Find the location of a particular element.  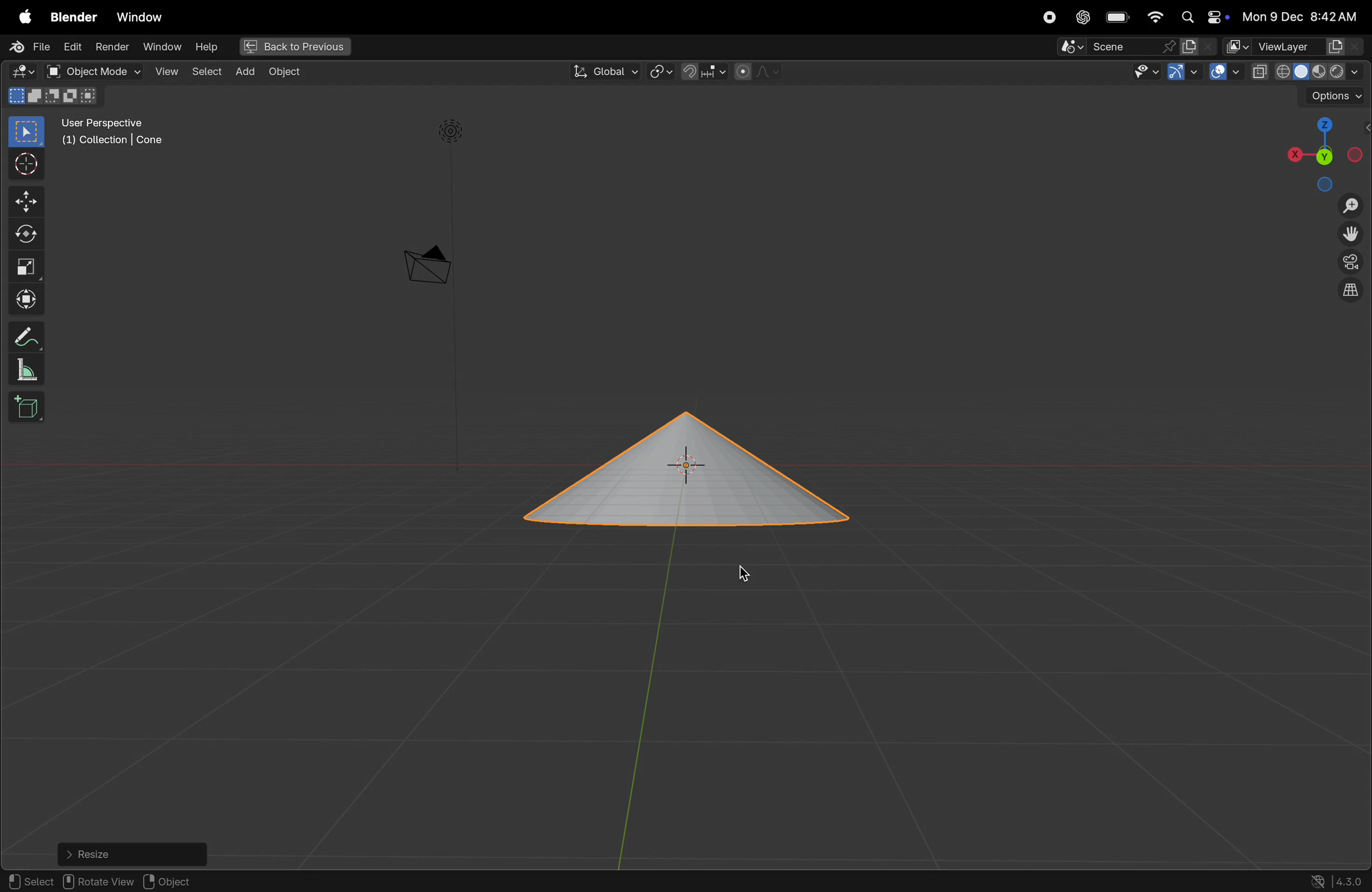

Pin scene is located at coordinates (1115, 47).